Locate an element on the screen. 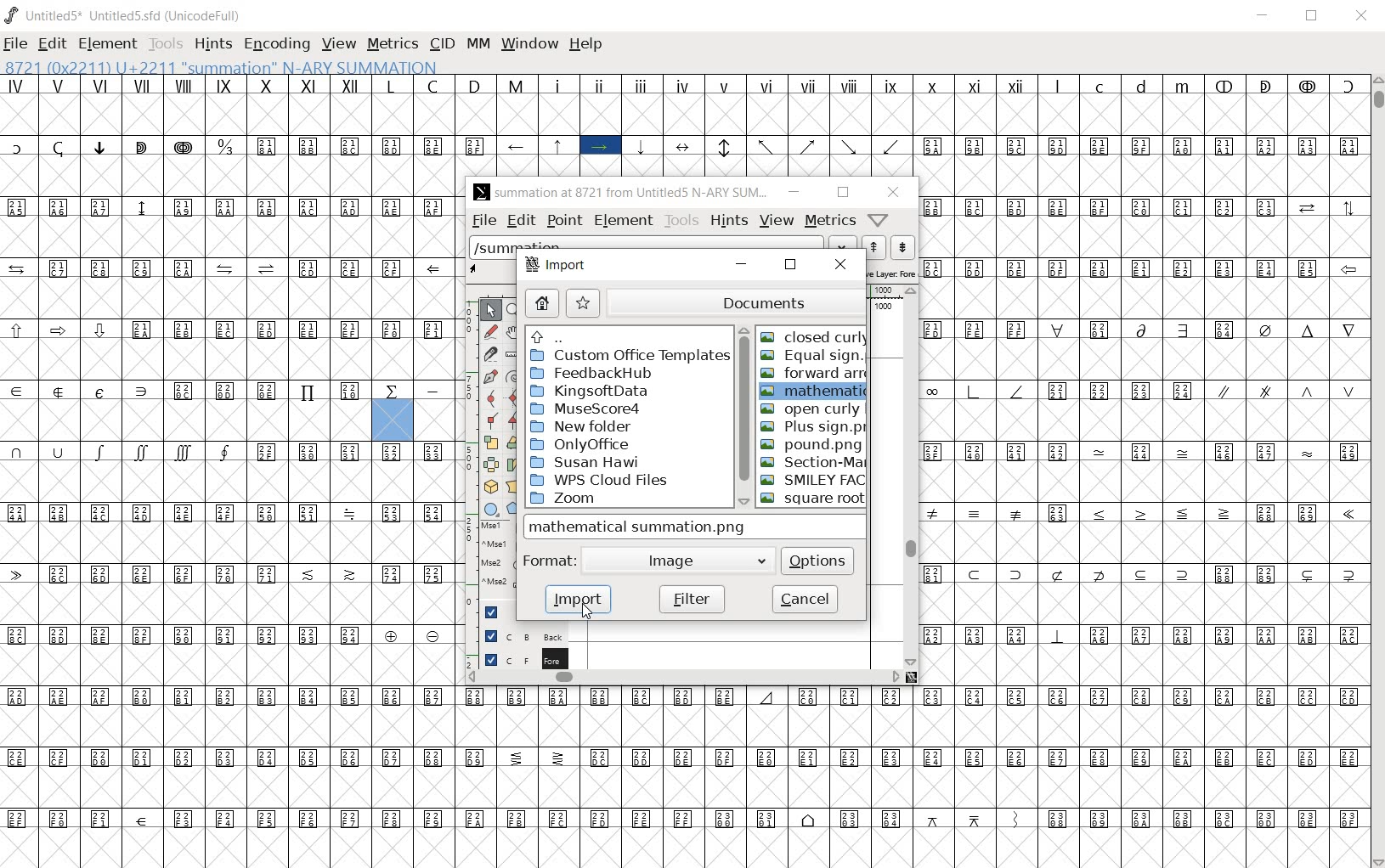 The width and height of the screenshot is (1385, 868). cursor is located at coordinates (585, 610).